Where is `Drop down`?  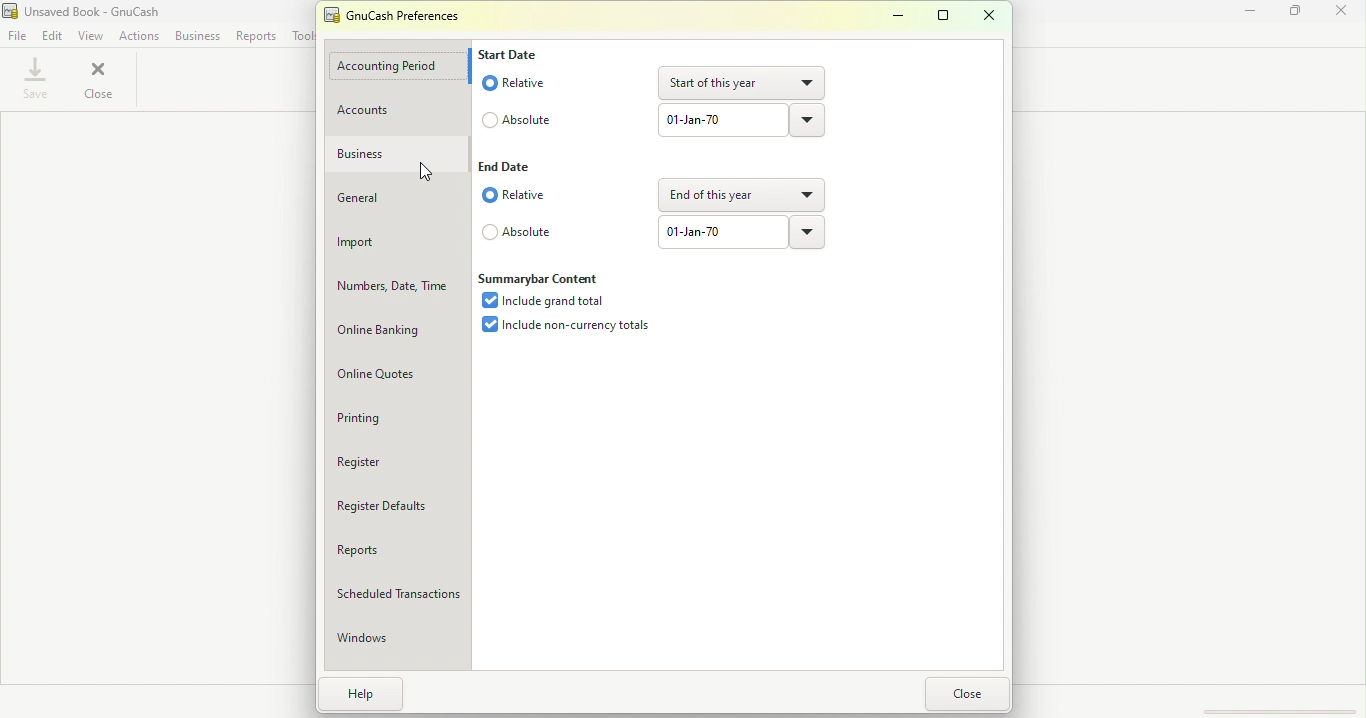
Drop down is located at coordinates (811, 122).